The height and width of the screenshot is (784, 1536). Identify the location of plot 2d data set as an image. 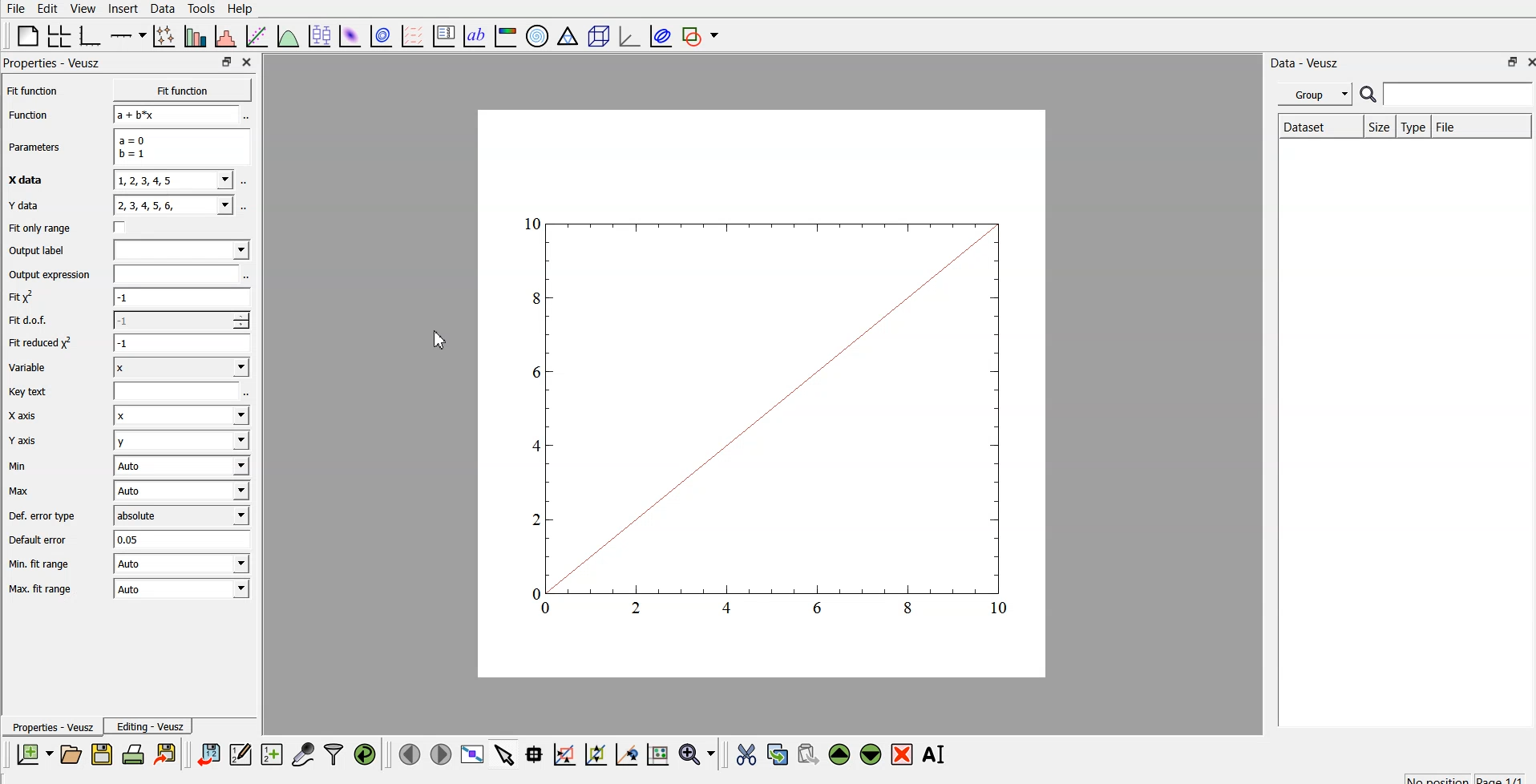
(351, 36).